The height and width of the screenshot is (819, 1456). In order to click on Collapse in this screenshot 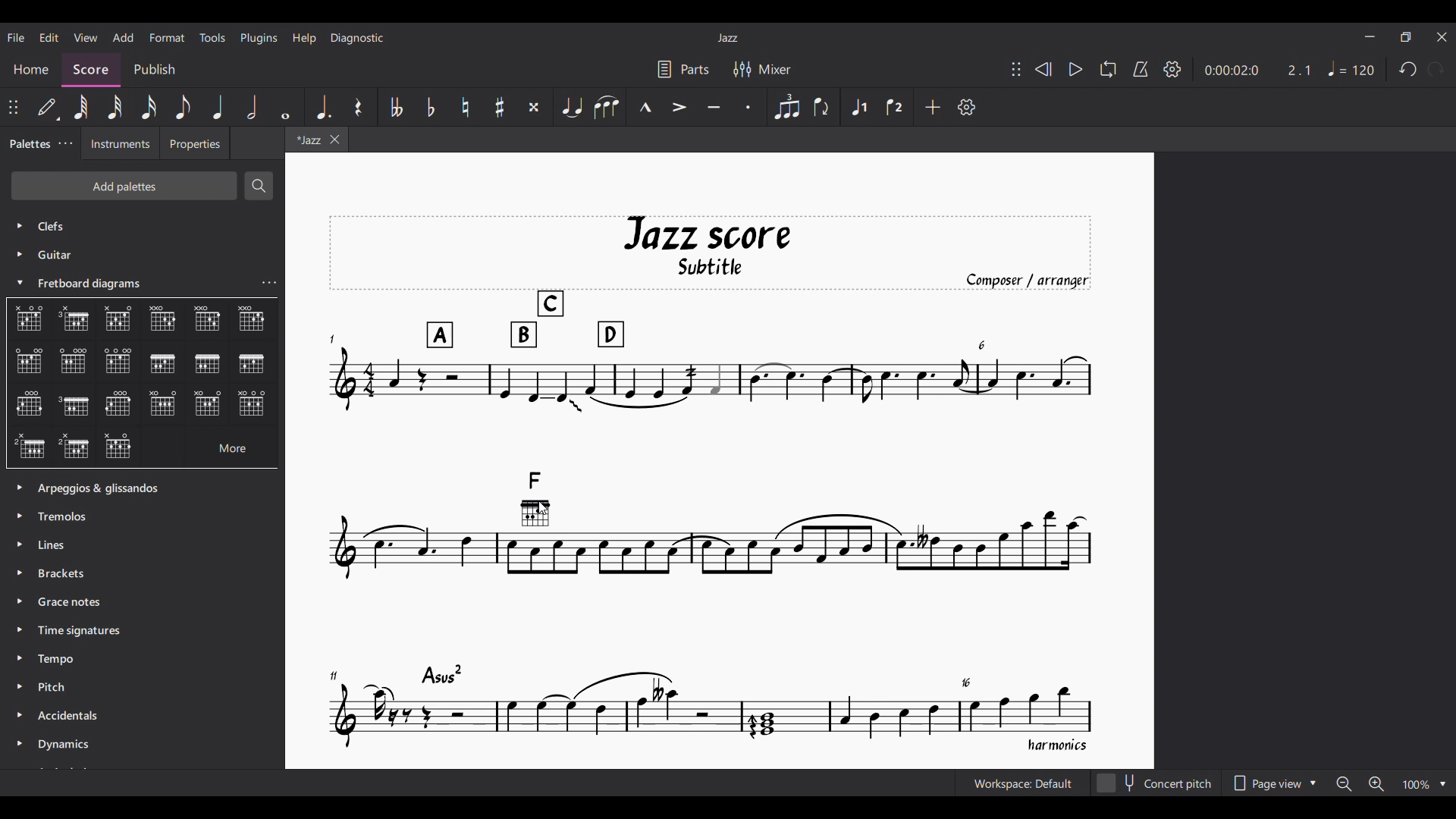, I will do `click(20, 281)`.